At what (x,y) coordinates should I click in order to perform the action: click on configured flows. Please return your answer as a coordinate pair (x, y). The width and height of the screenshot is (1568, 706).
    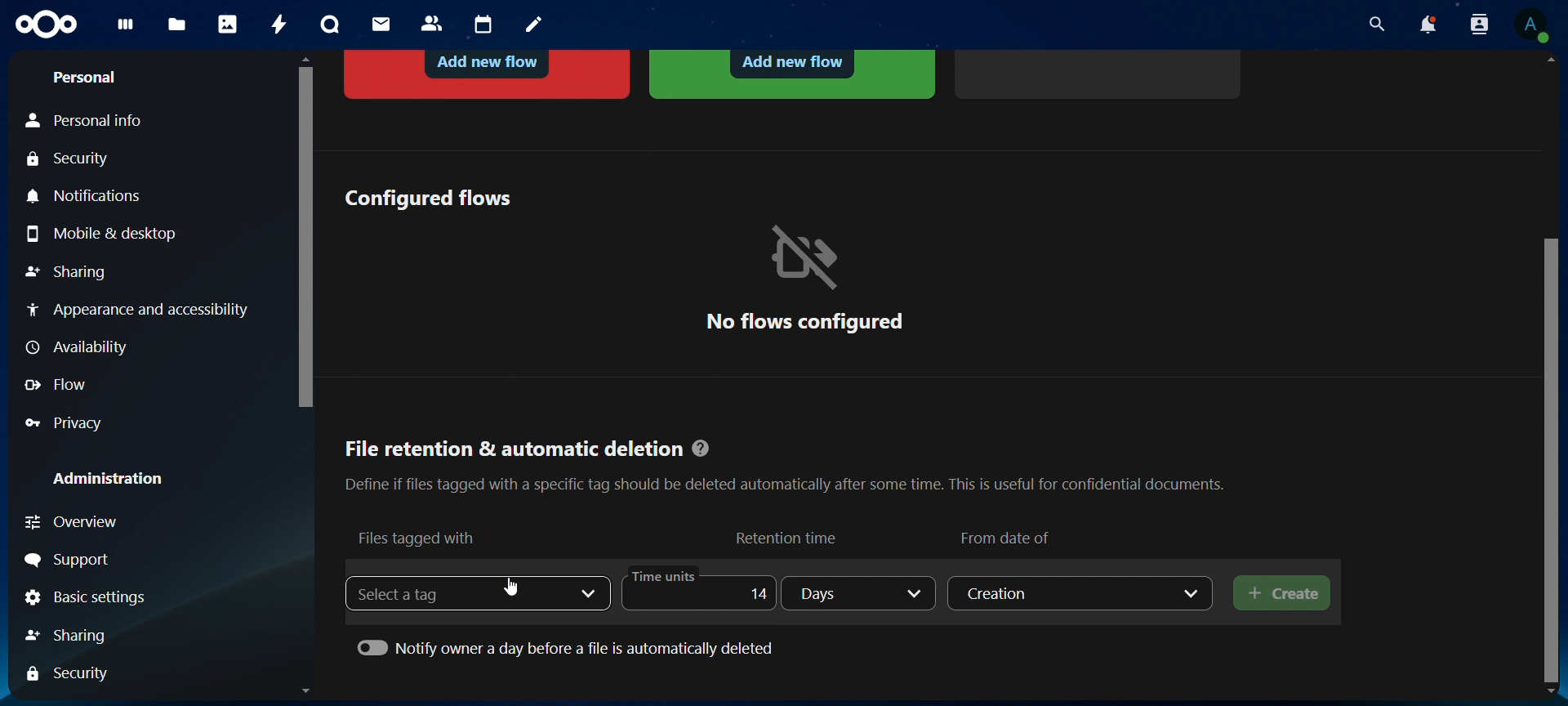
    Looking at the image, I should click on (427, 197).